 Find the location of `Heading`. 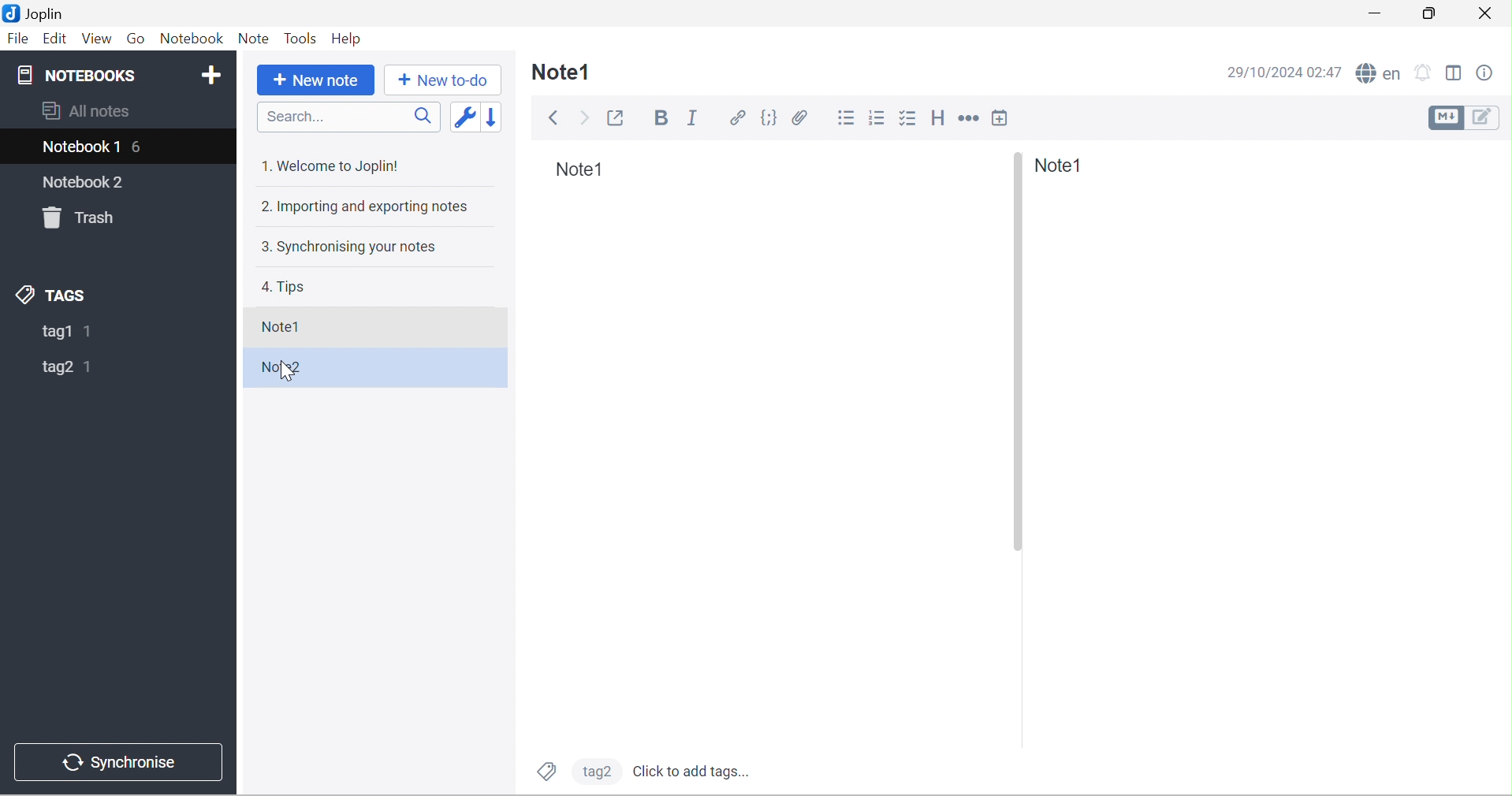

Heading is located at coordinates (940, 120).